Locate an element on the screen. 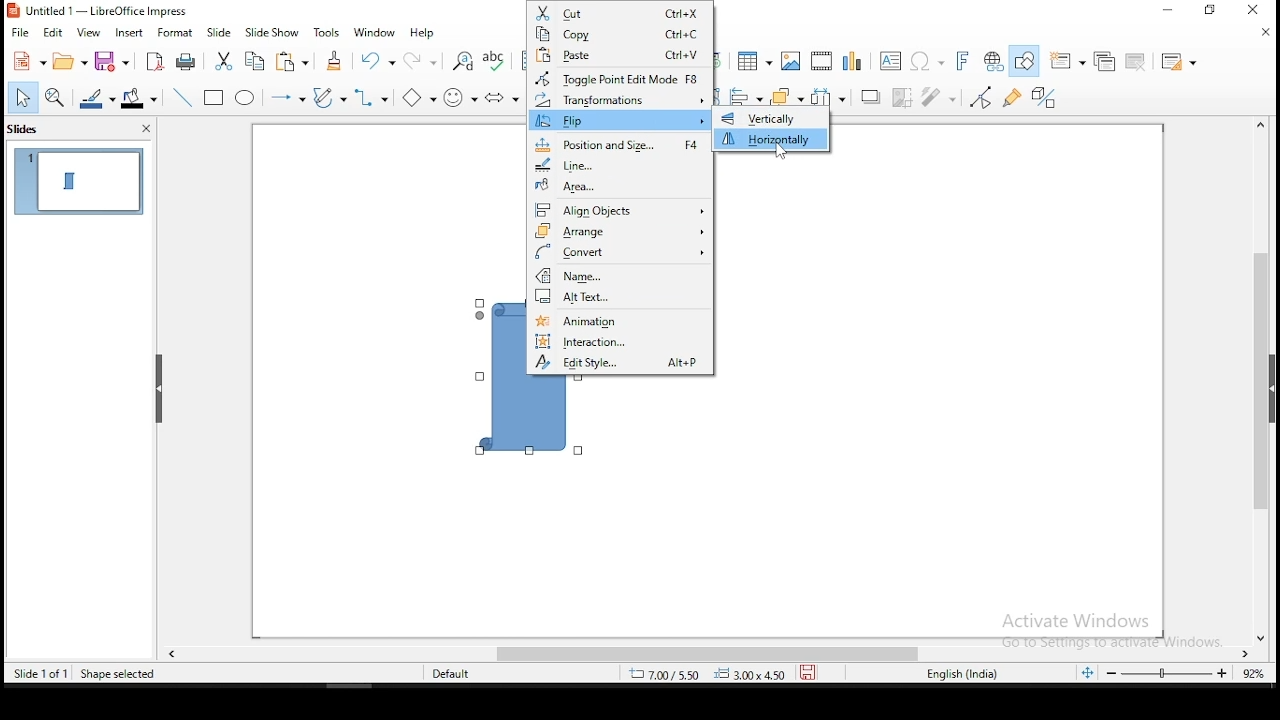 The image size is (1280, 720). paste is located at coordinates (623, 55).